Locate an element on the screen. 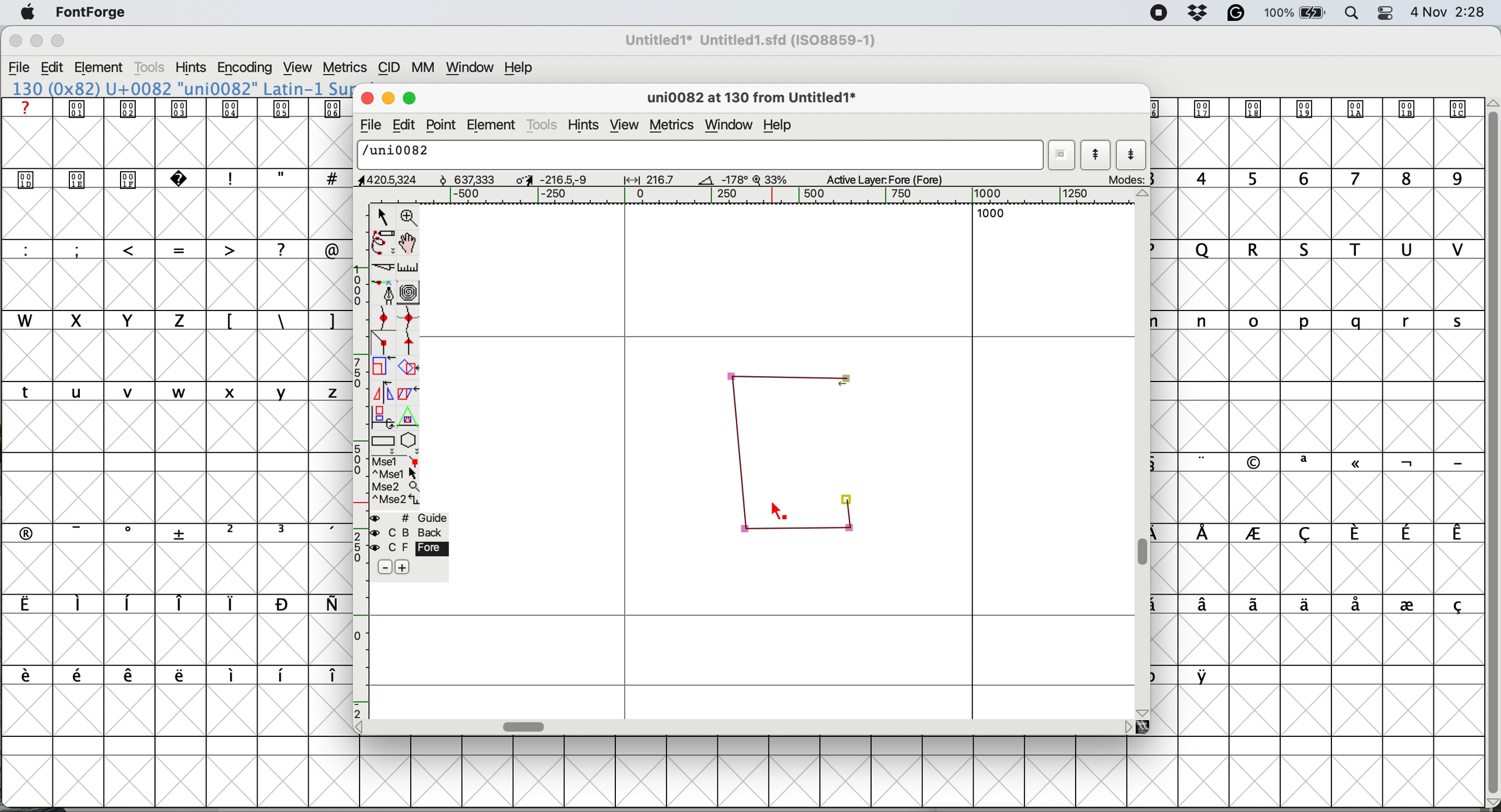  uppercase letters is located at coordinates (1325, 249).